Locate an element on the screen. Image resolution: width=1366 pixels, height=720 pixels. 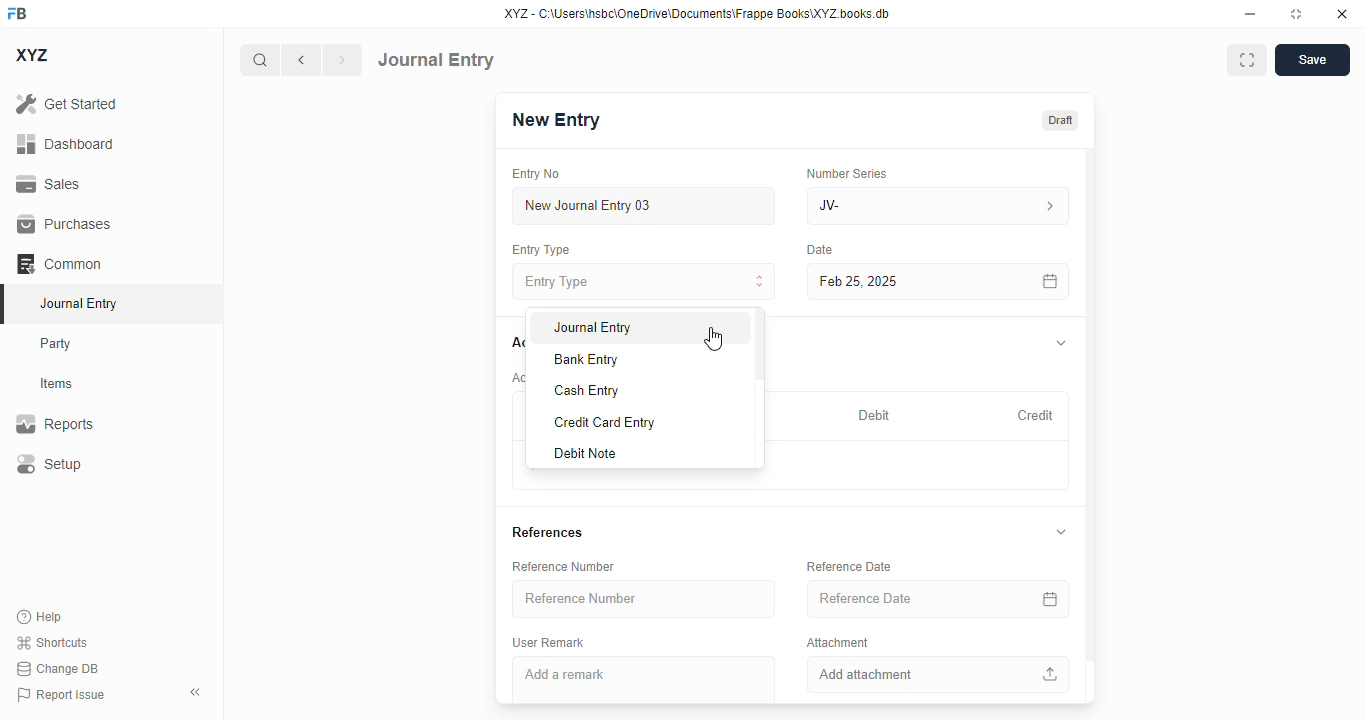
save is located at coordinates (1313, 60).